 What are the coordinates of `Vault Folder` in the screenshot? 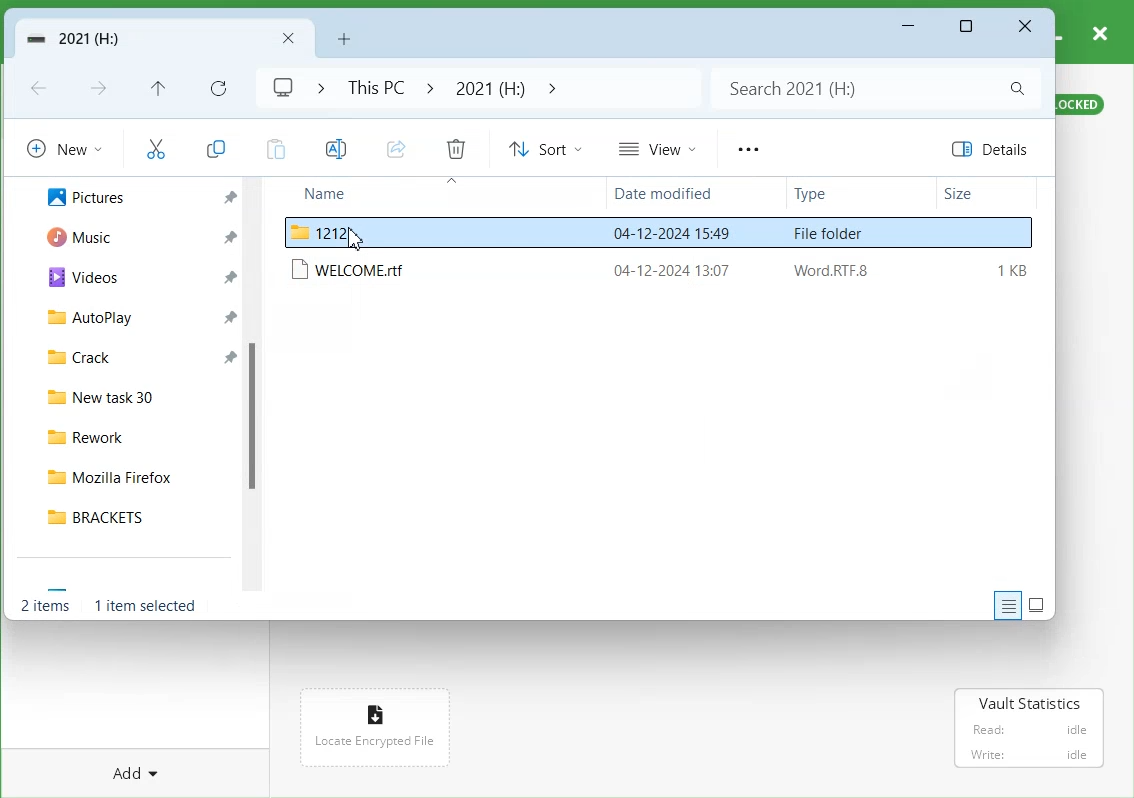 It's located at (129, 39).